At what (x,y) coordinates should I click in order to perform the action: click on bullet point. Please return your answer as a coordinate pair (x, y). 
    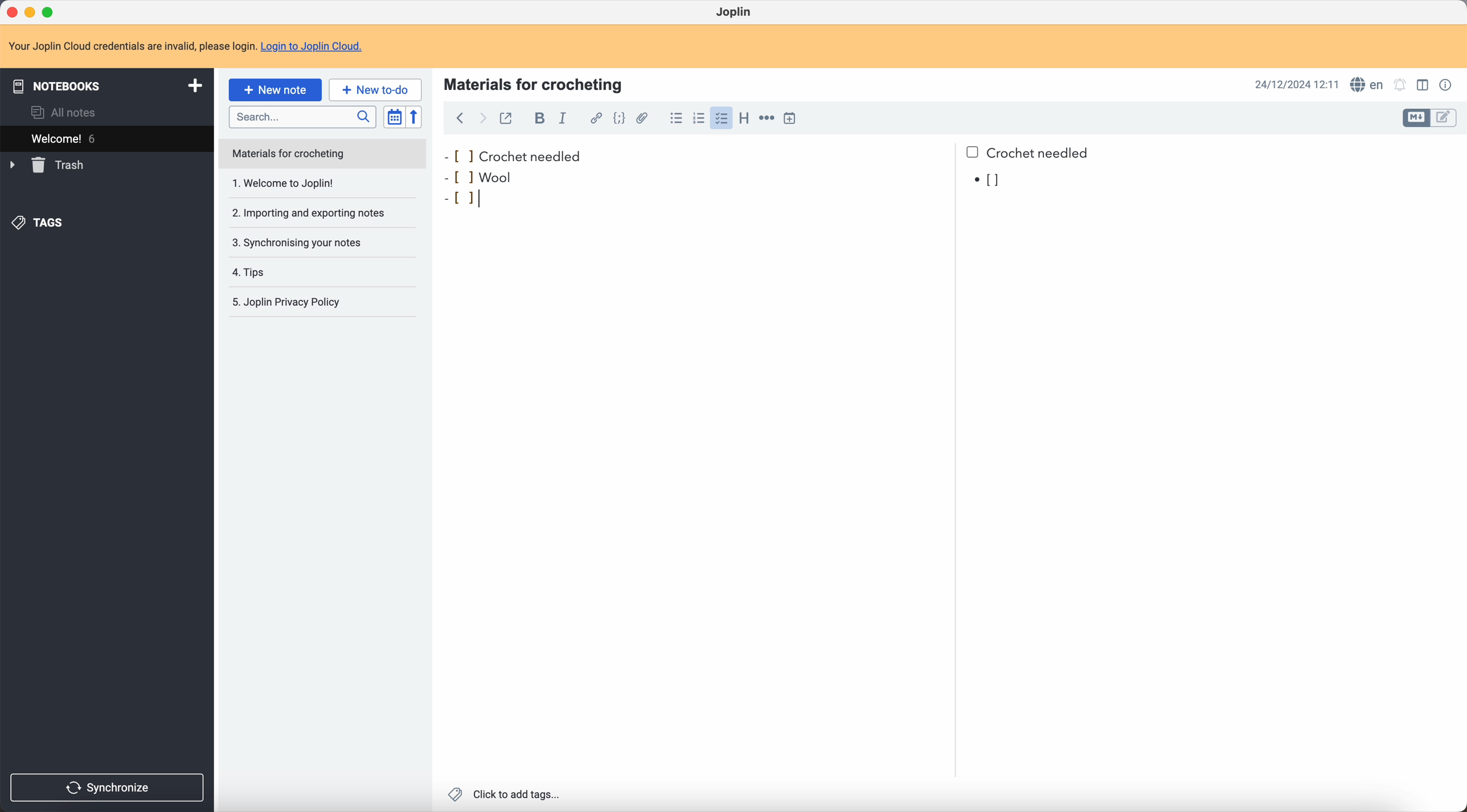
    Looking at the image, I should click on (453, 175).